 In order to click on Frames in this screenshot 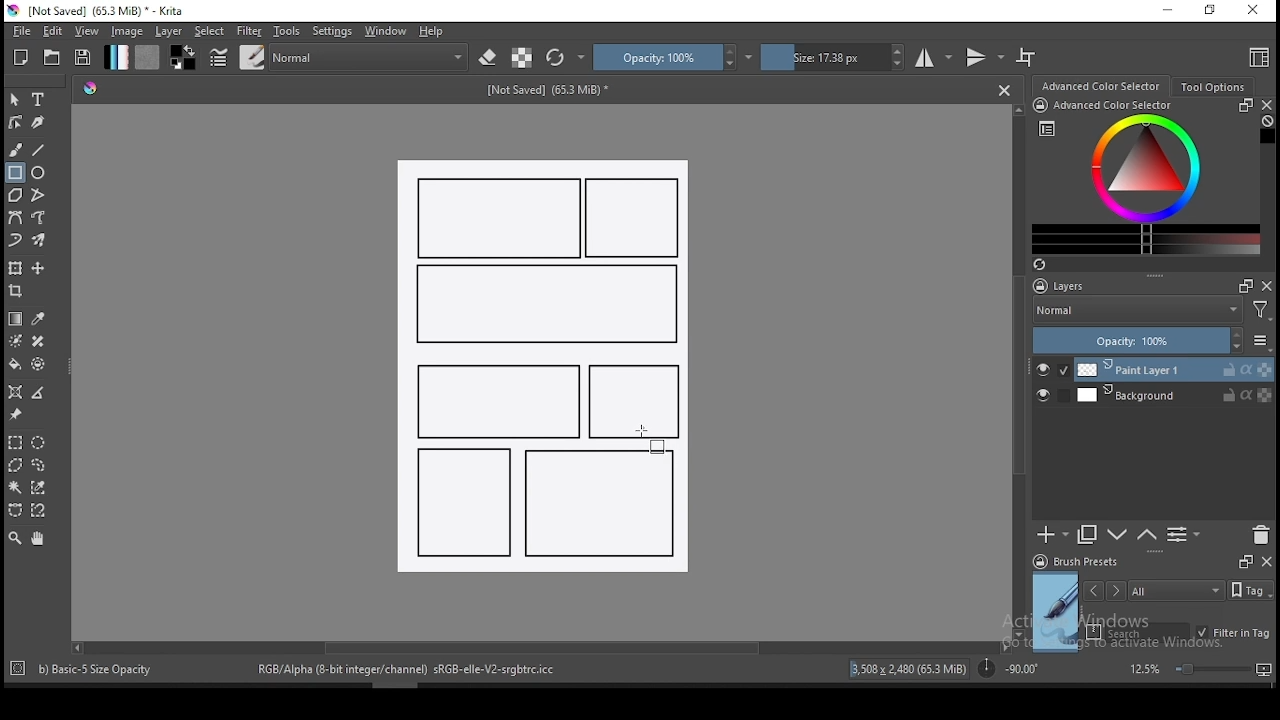, I will do `click(1245, 561)`.